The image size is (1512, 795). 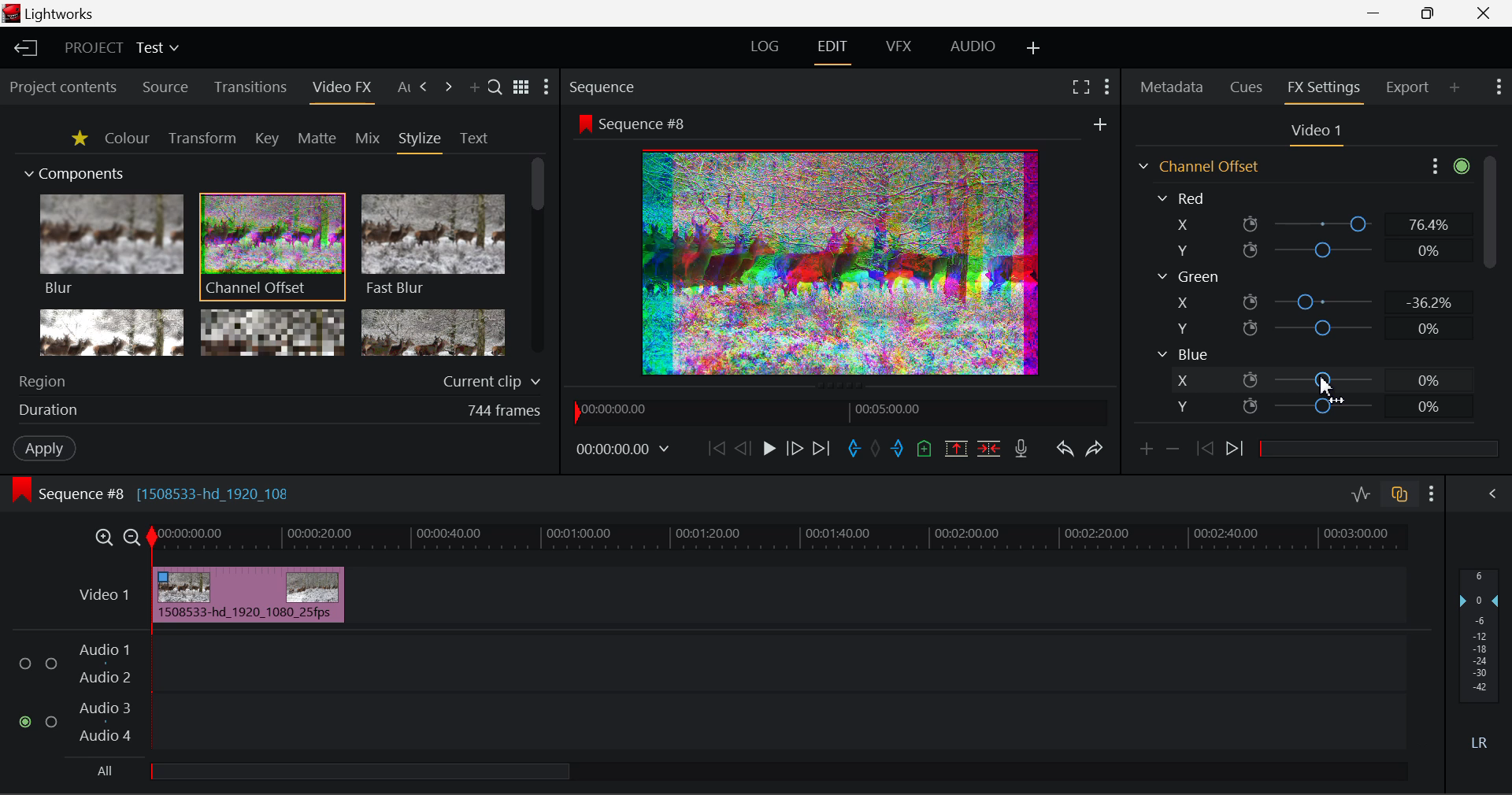 What do you see at coordinates (46, 449) in the screenshot?
I see `Apply` at bounding box center [46, 449].